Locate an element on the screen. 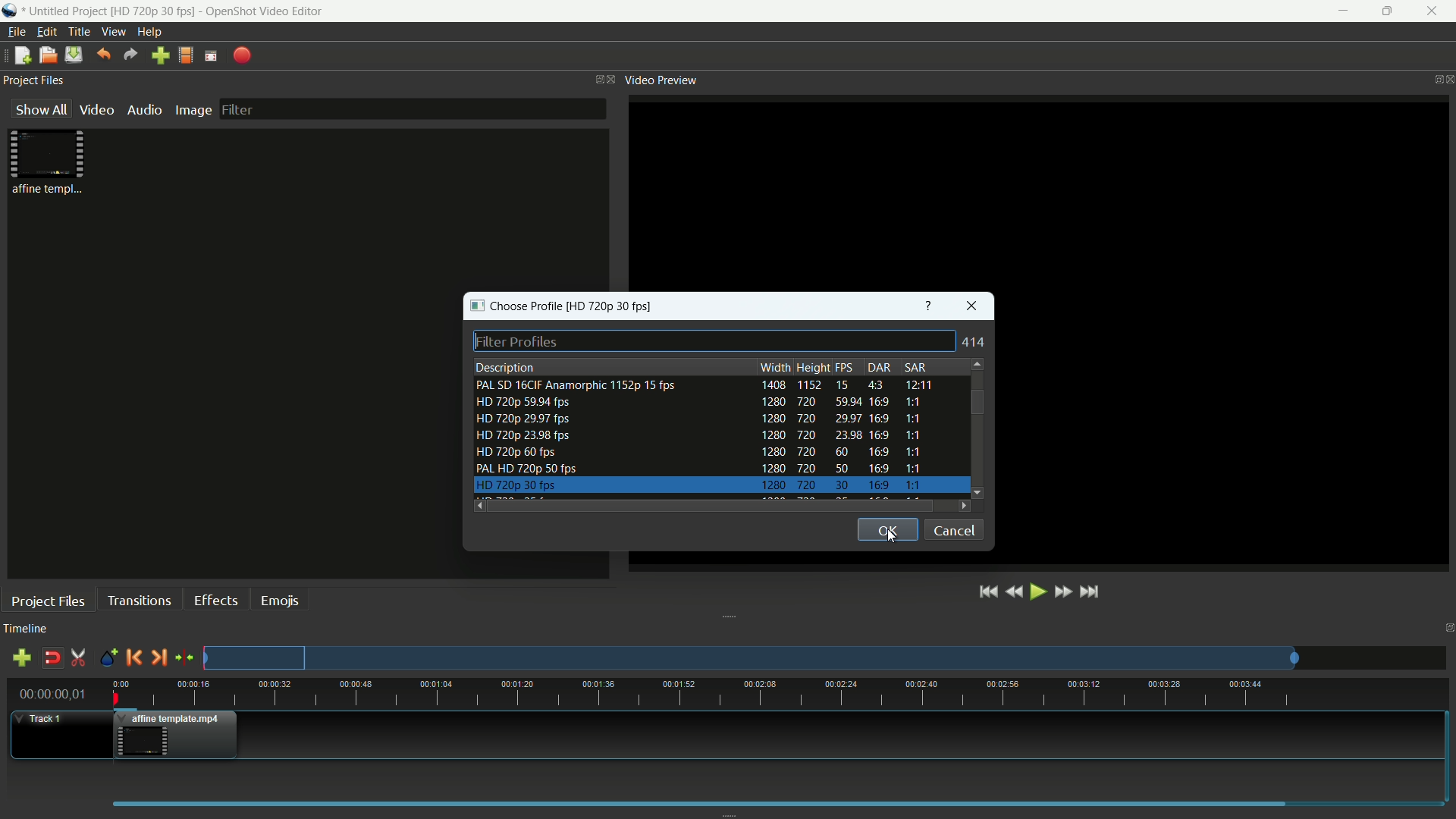 This screenshot has height=819, width=1456. profile-6 is located at coordinates (703, 469).